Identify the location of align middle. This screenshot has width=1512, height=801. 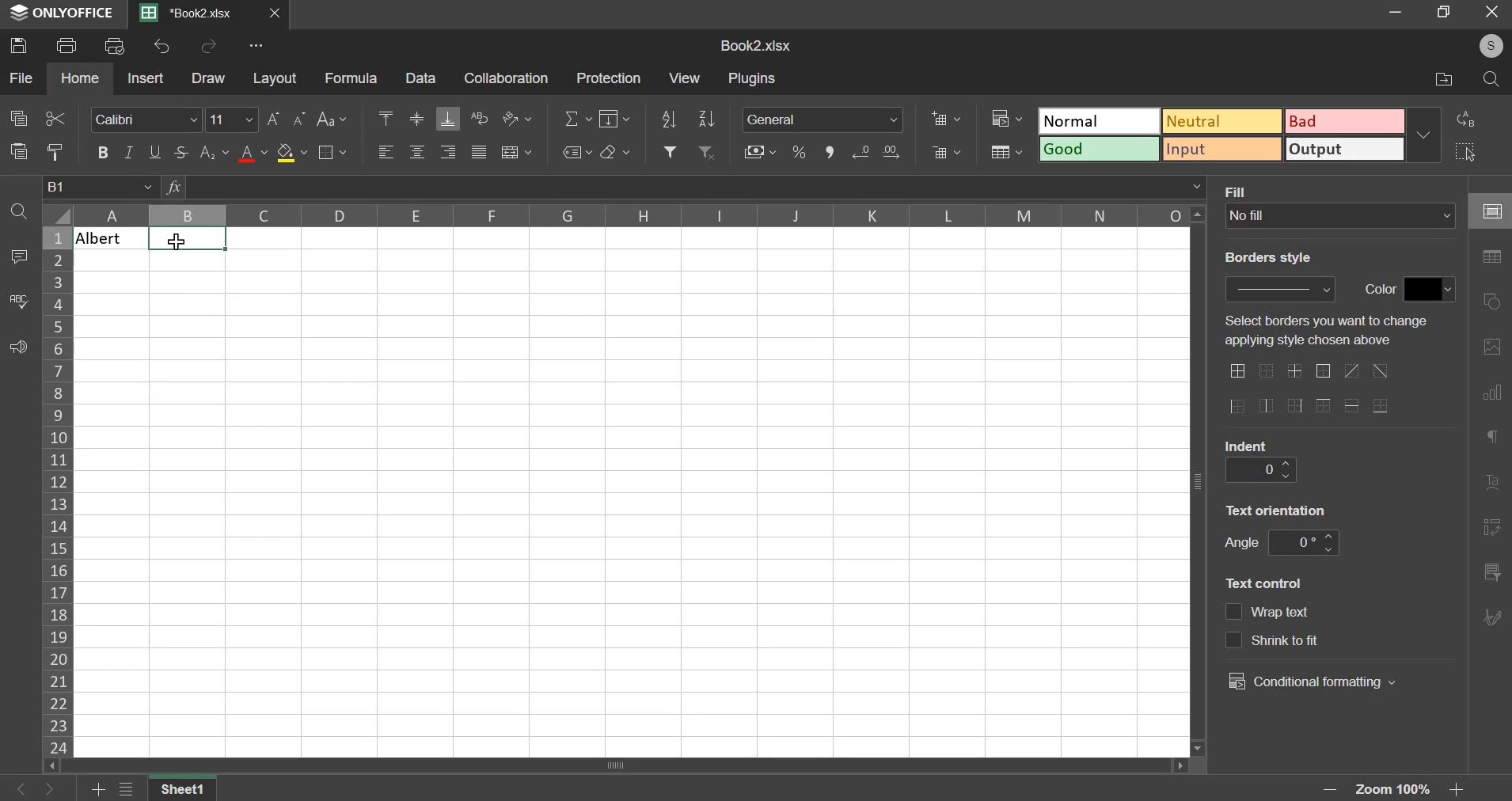
(420, 119).